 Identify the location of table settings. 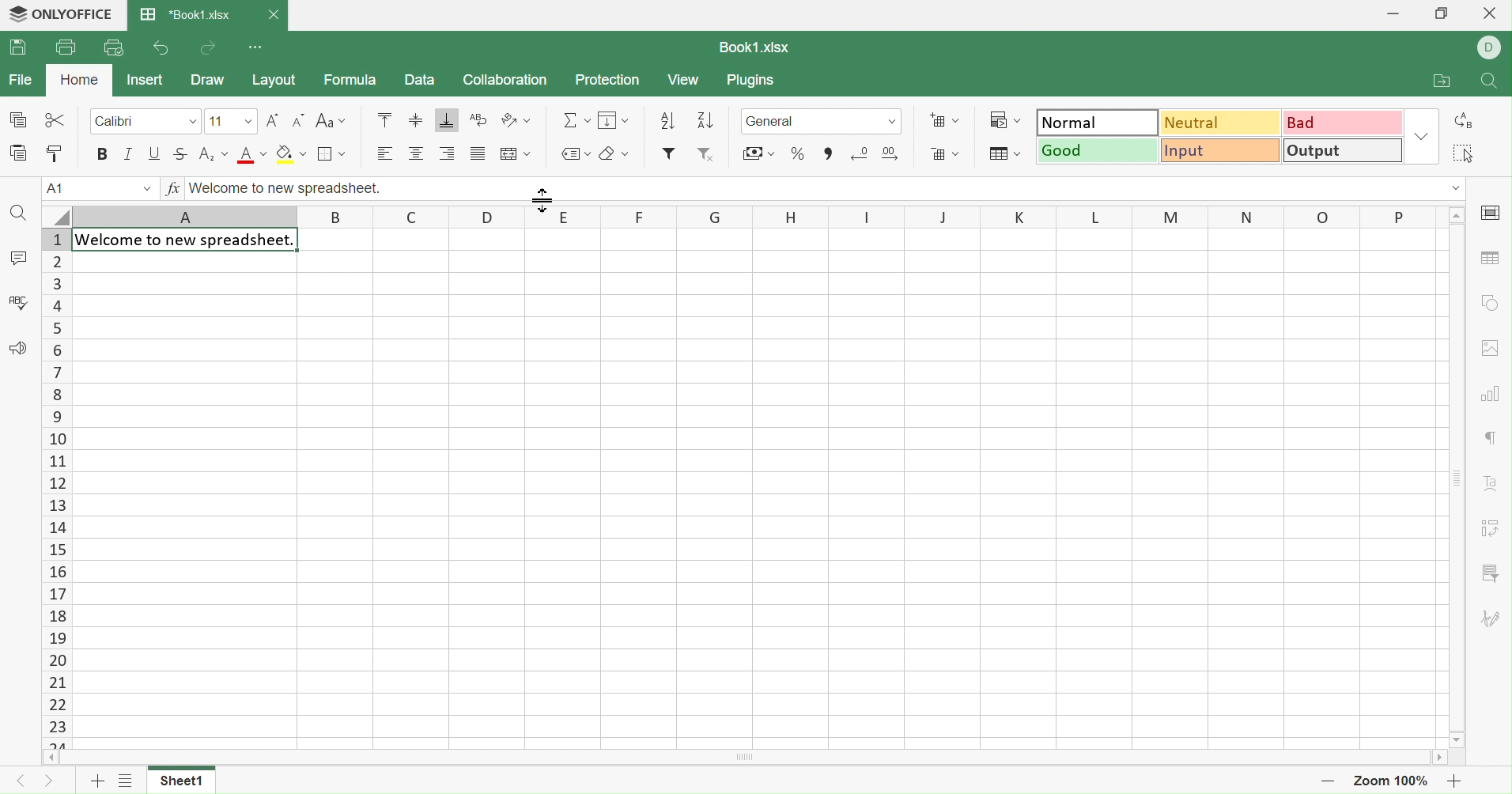
(1488, 258).